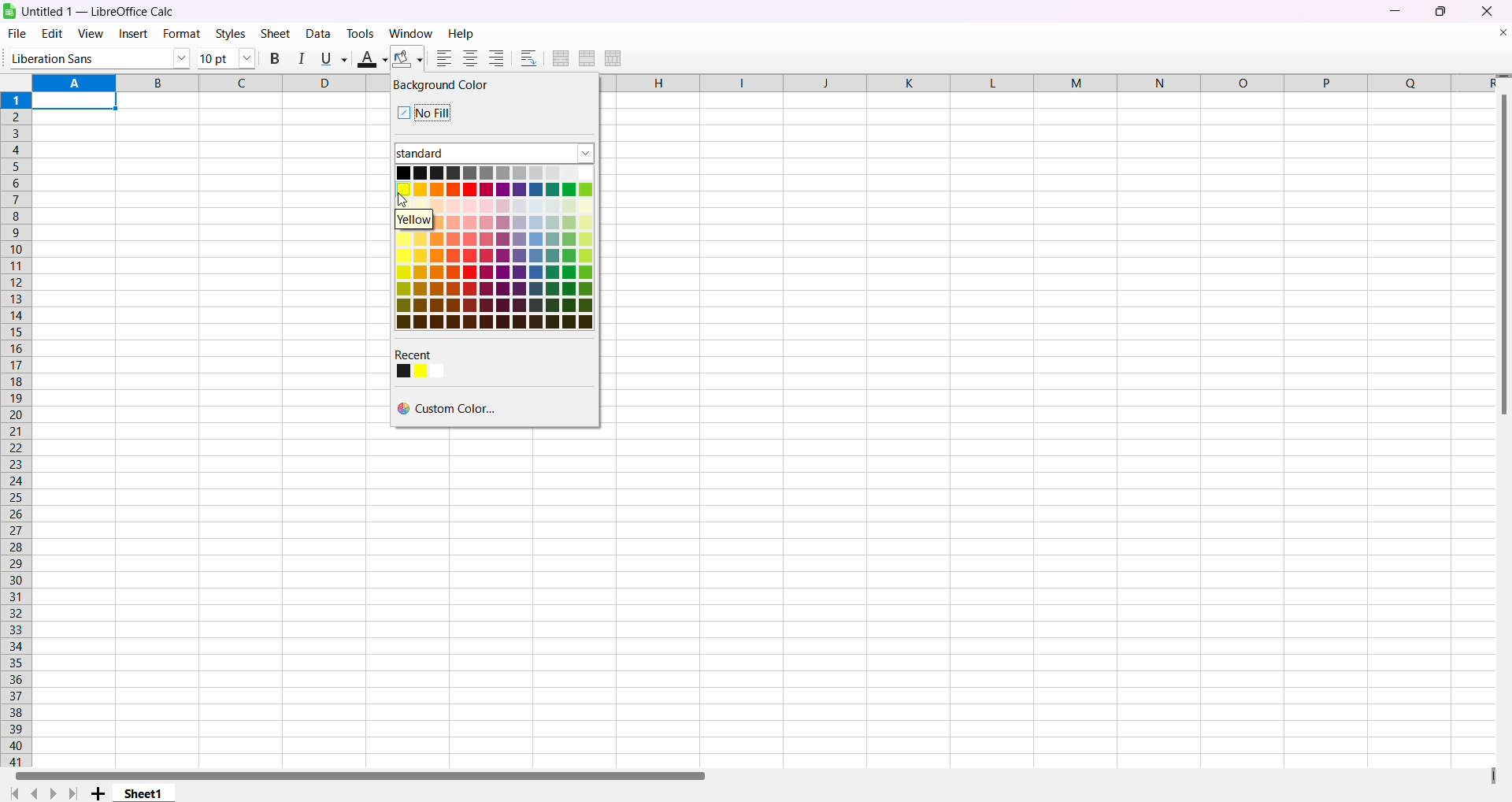  I want to click on italic, so click(298, 58).